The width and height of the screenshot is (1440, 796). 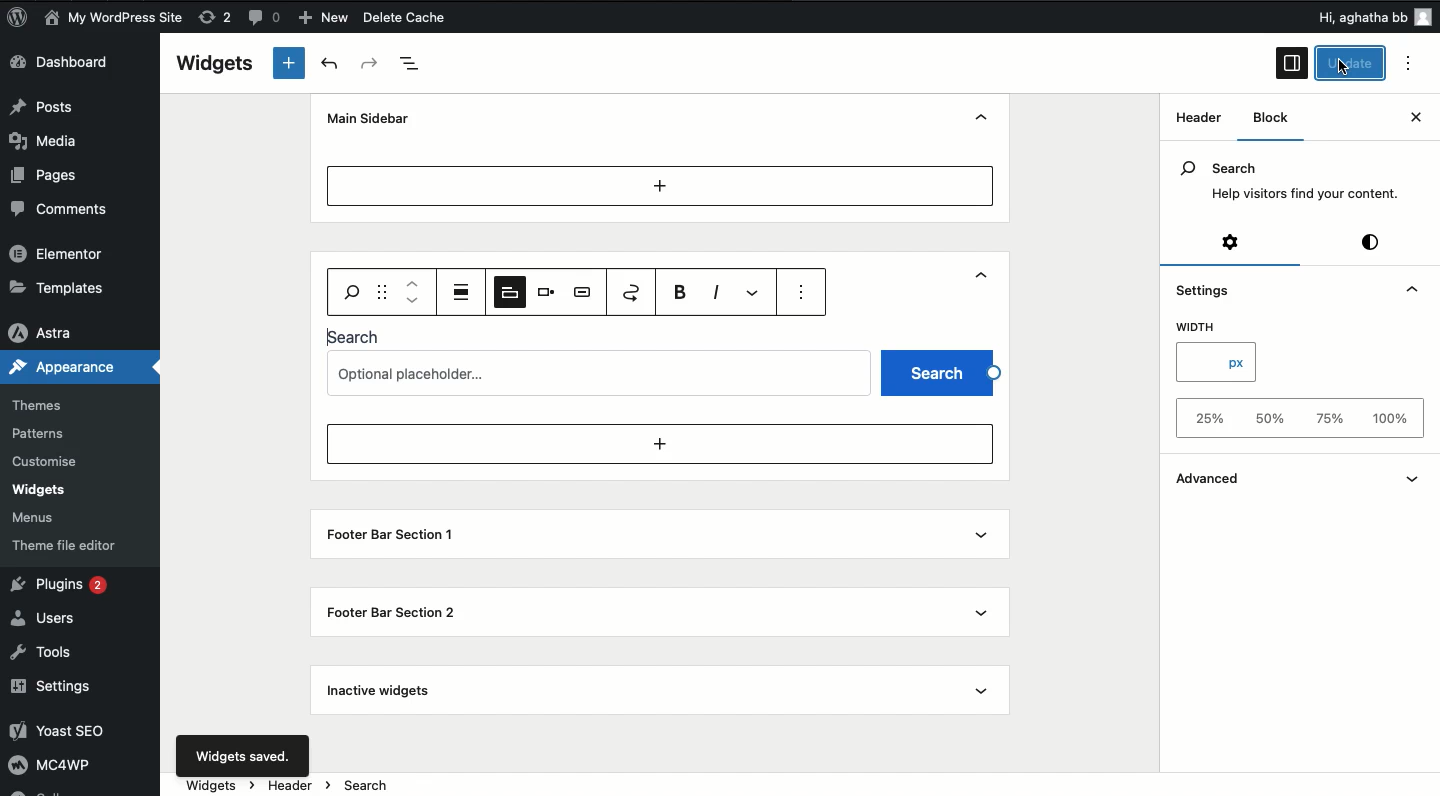 I want to click on Move up down, so click(x=414, y=292).